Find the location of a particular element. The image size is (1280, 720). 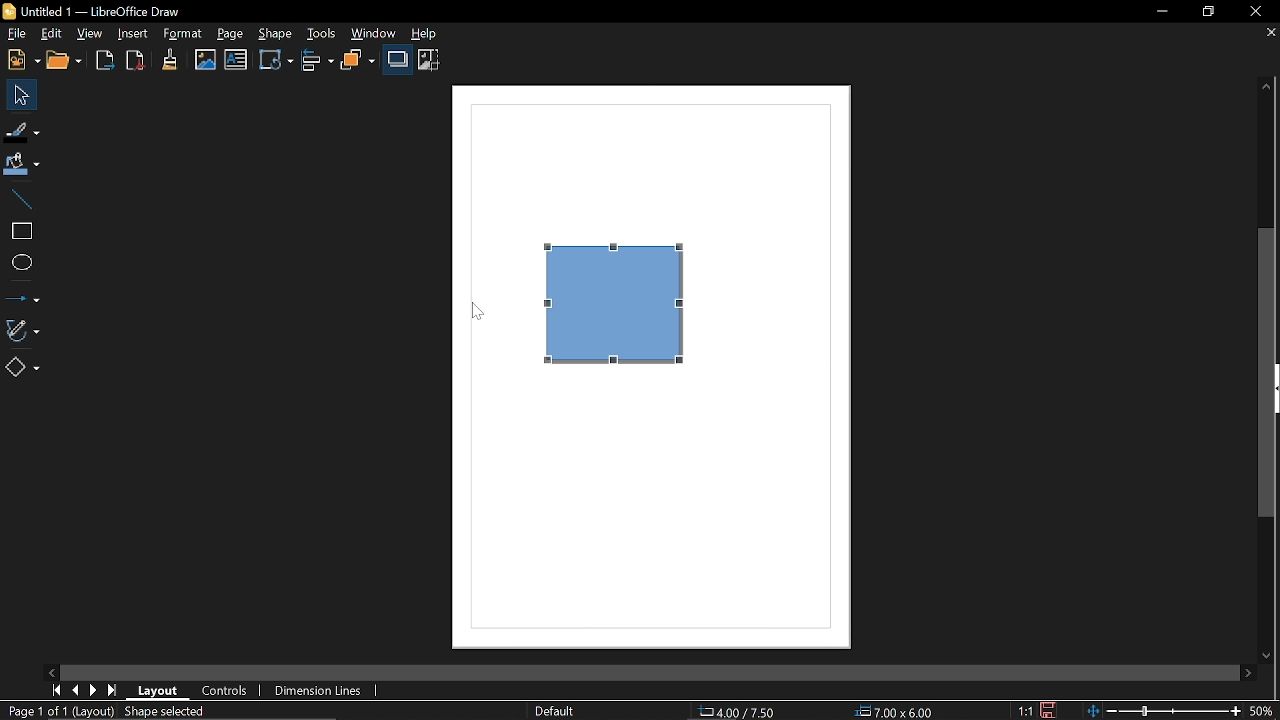

Arrange is located at coordinates (359, 60).